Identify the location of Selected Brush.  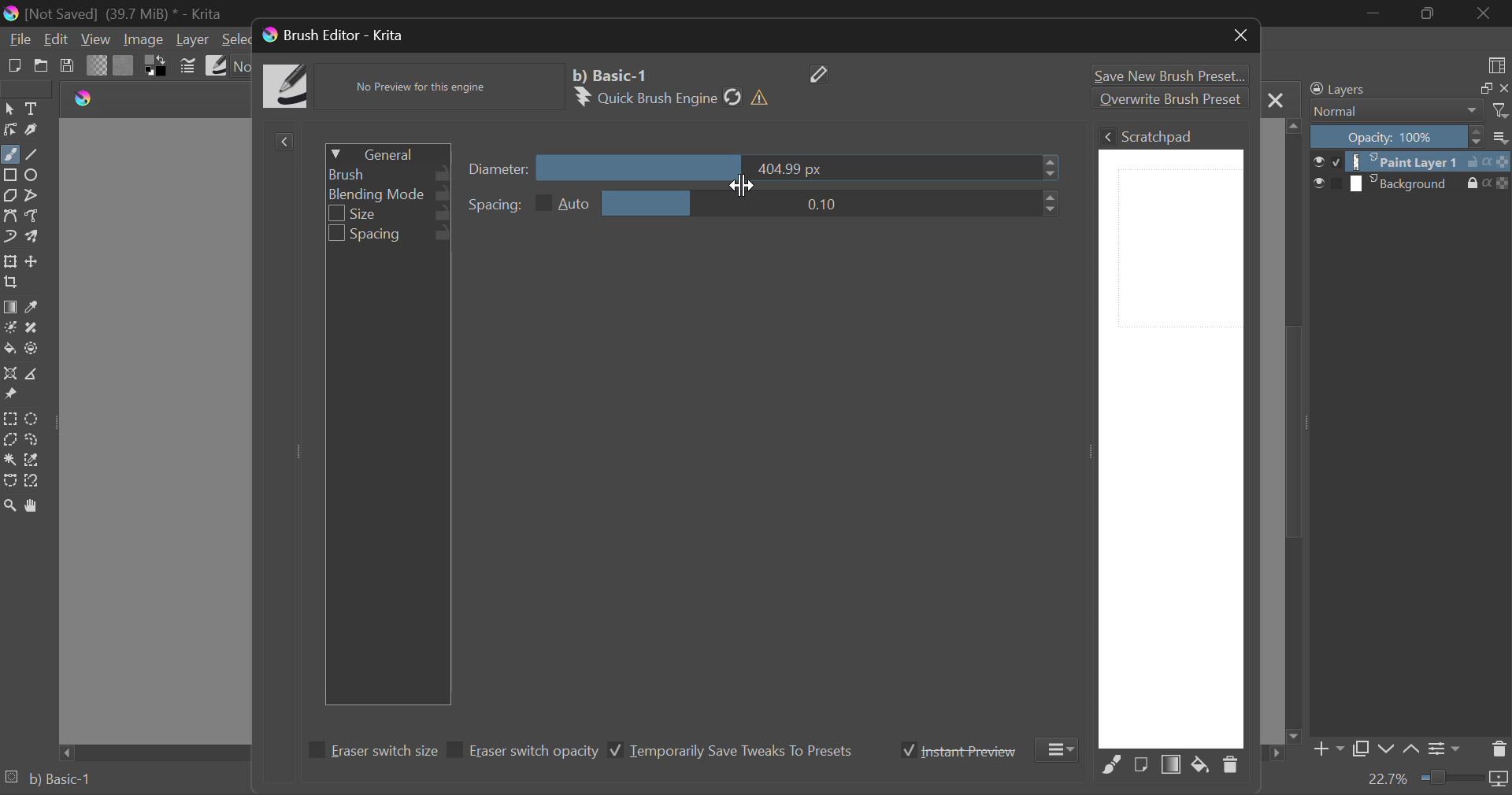
(613, 74).